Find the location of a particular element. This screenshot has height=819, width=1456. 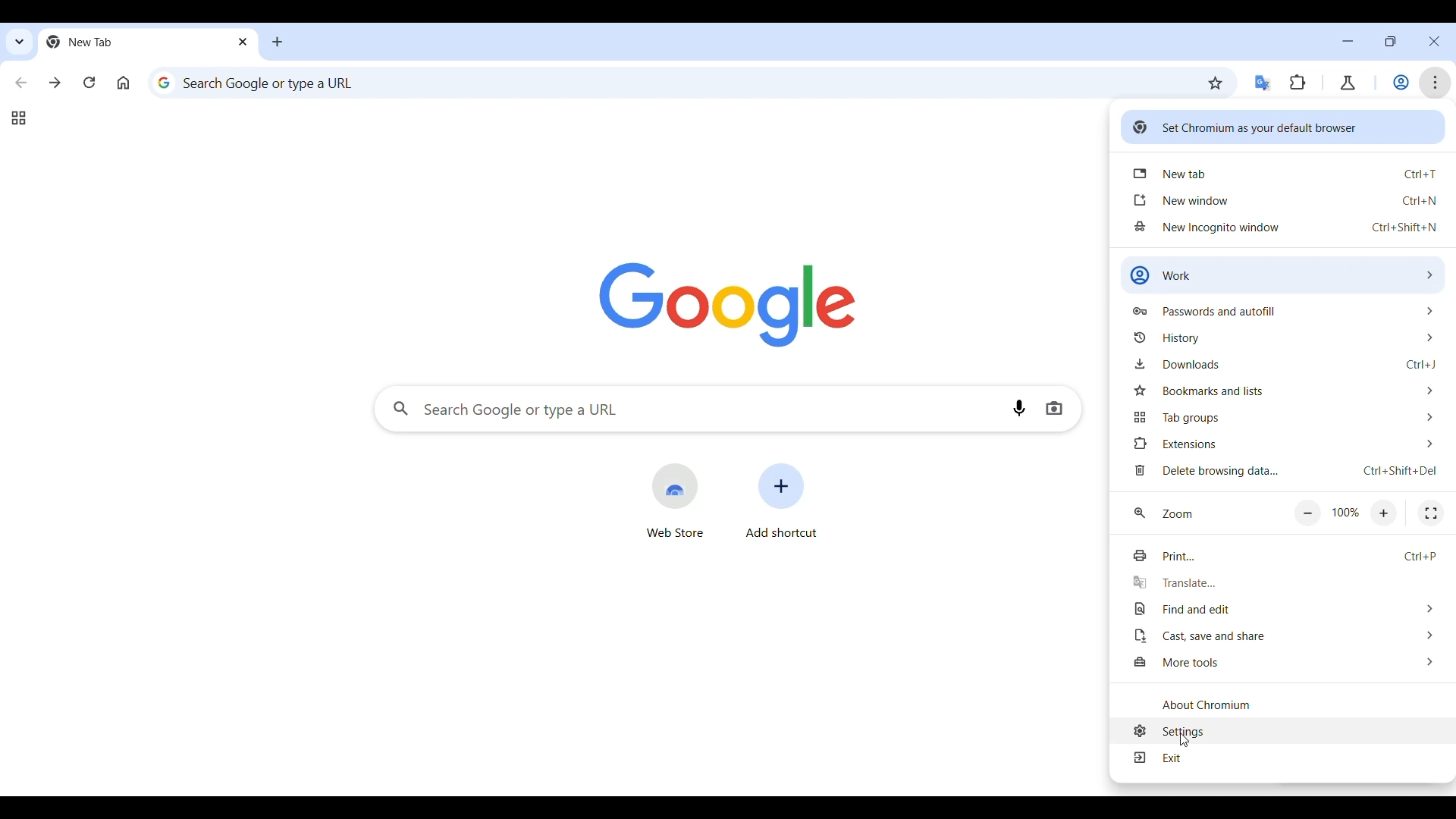

Customize and control Chromium highlighted is located at coordinates (1436, 83).